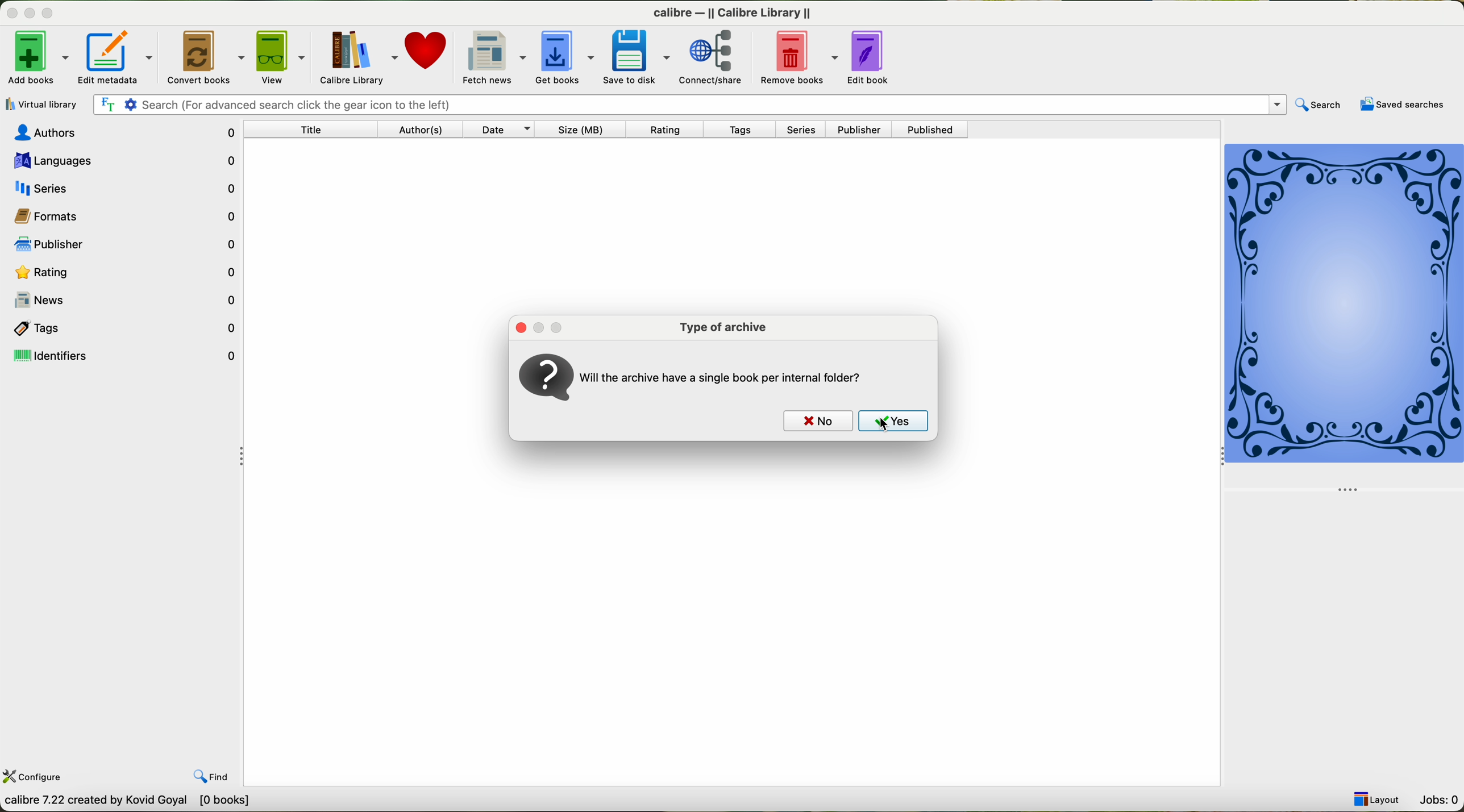 This screenshot has width=1464, height=812. What do you see at coordinates (490, 57) in the screenshot?
I see `fetch news` at bounding box center [490, 57].